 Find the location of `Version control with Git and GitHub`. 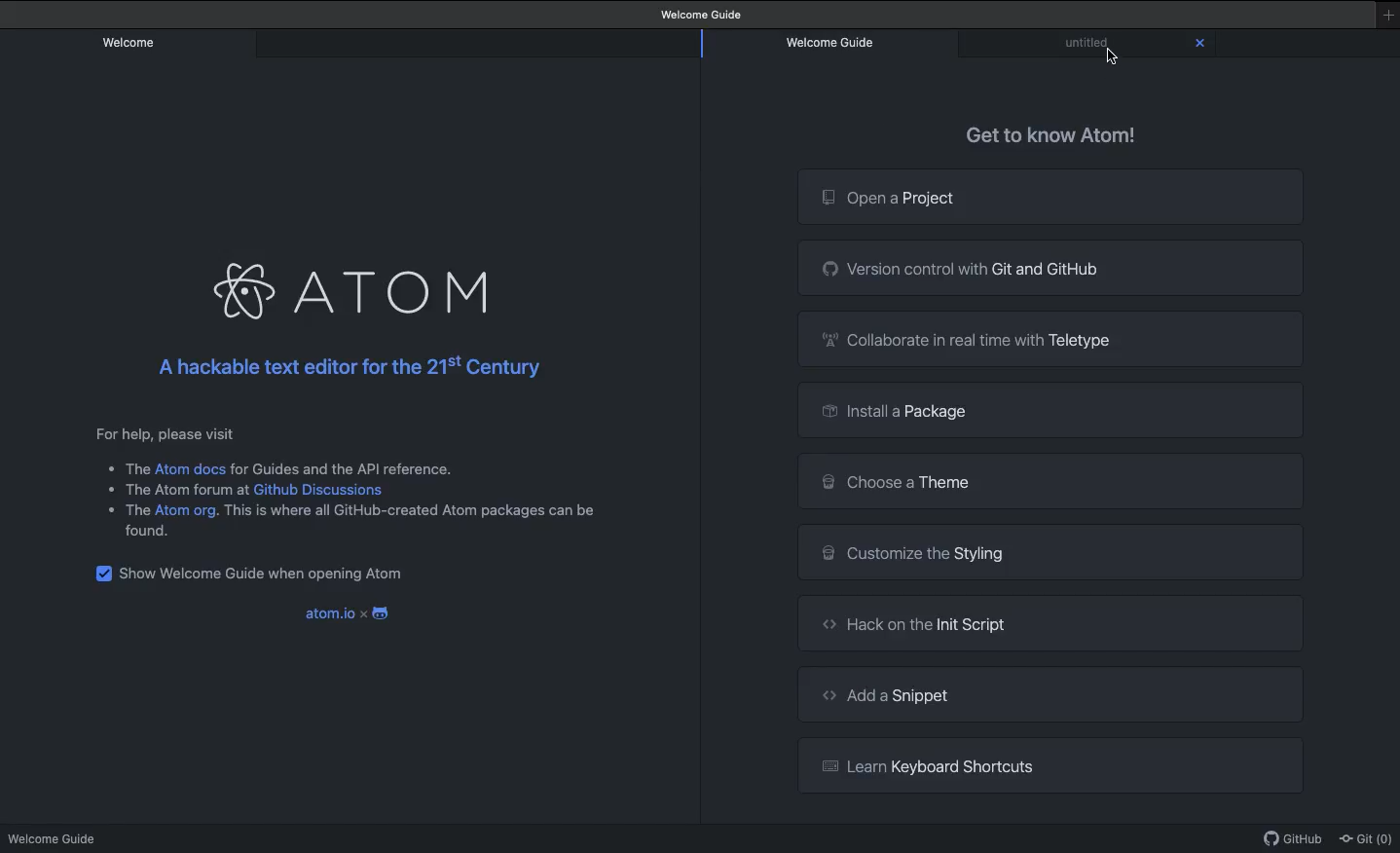

Version control with Git and GitHub is located at coordinates (1051, 269).